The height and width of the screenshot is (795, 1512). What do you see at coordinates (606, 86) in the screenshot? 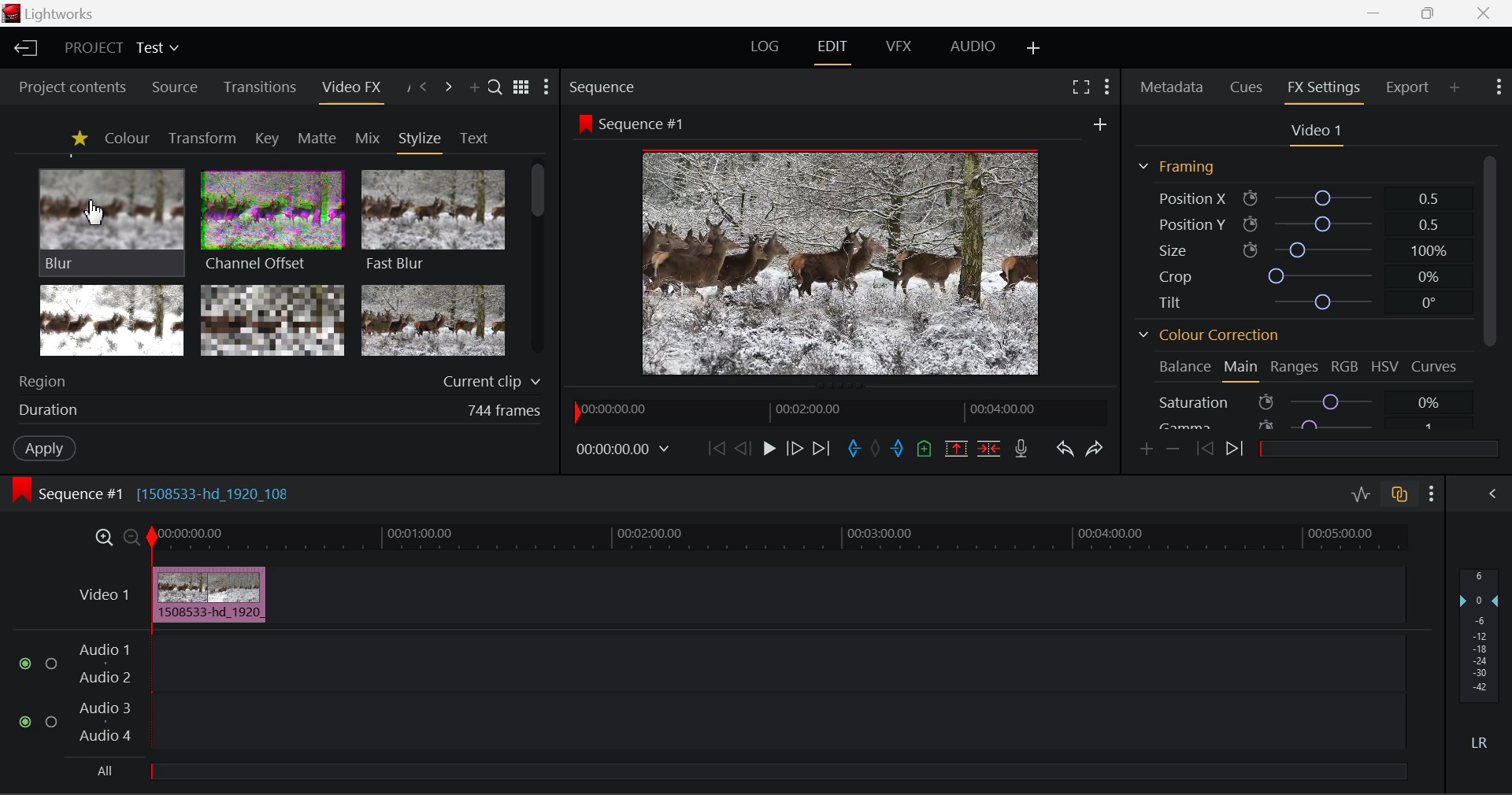
I see `Sequence Preview Section` at bounding box center [606, 86].